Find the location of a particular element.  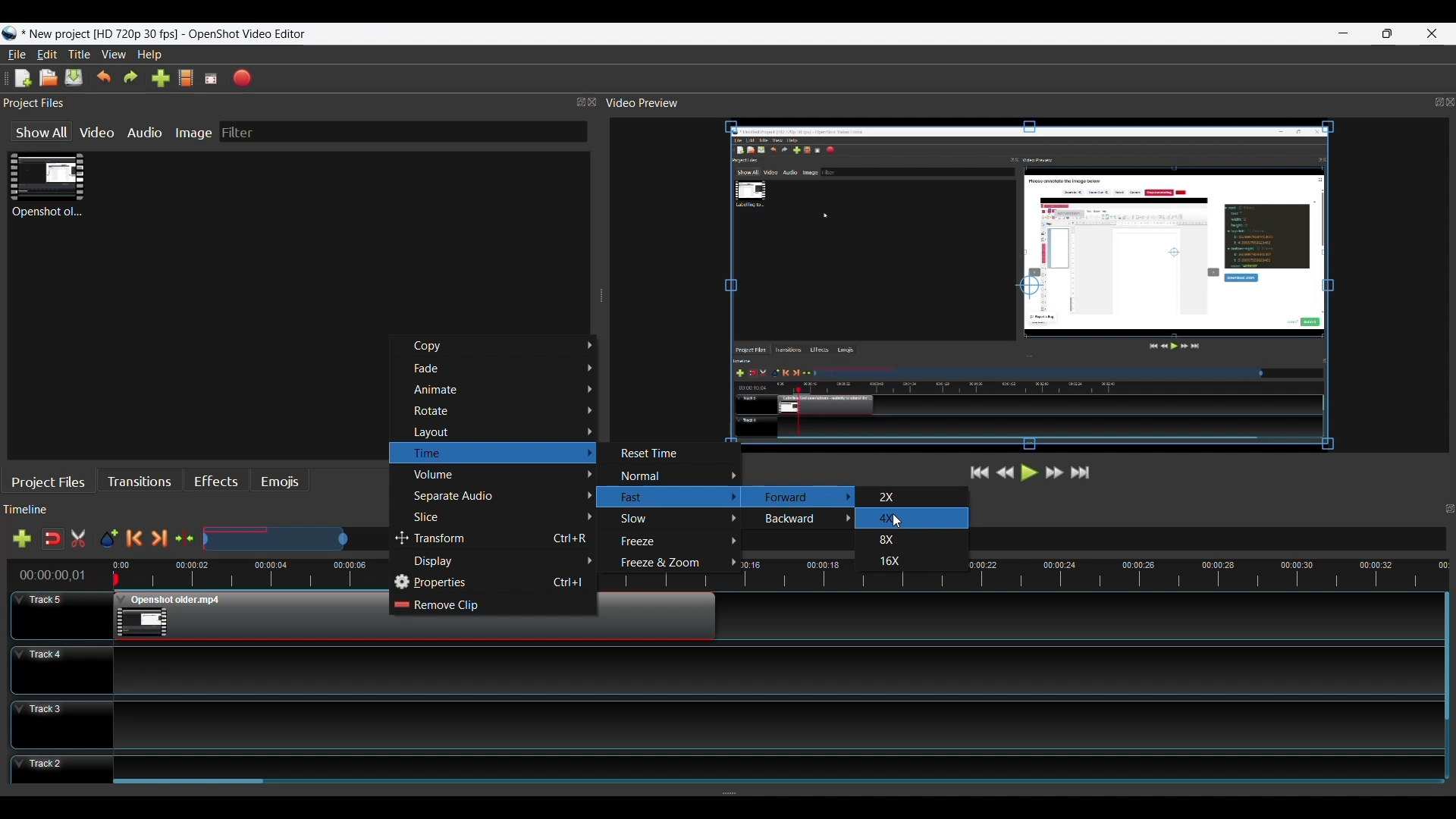

8X is located at coordinates (891, 541).